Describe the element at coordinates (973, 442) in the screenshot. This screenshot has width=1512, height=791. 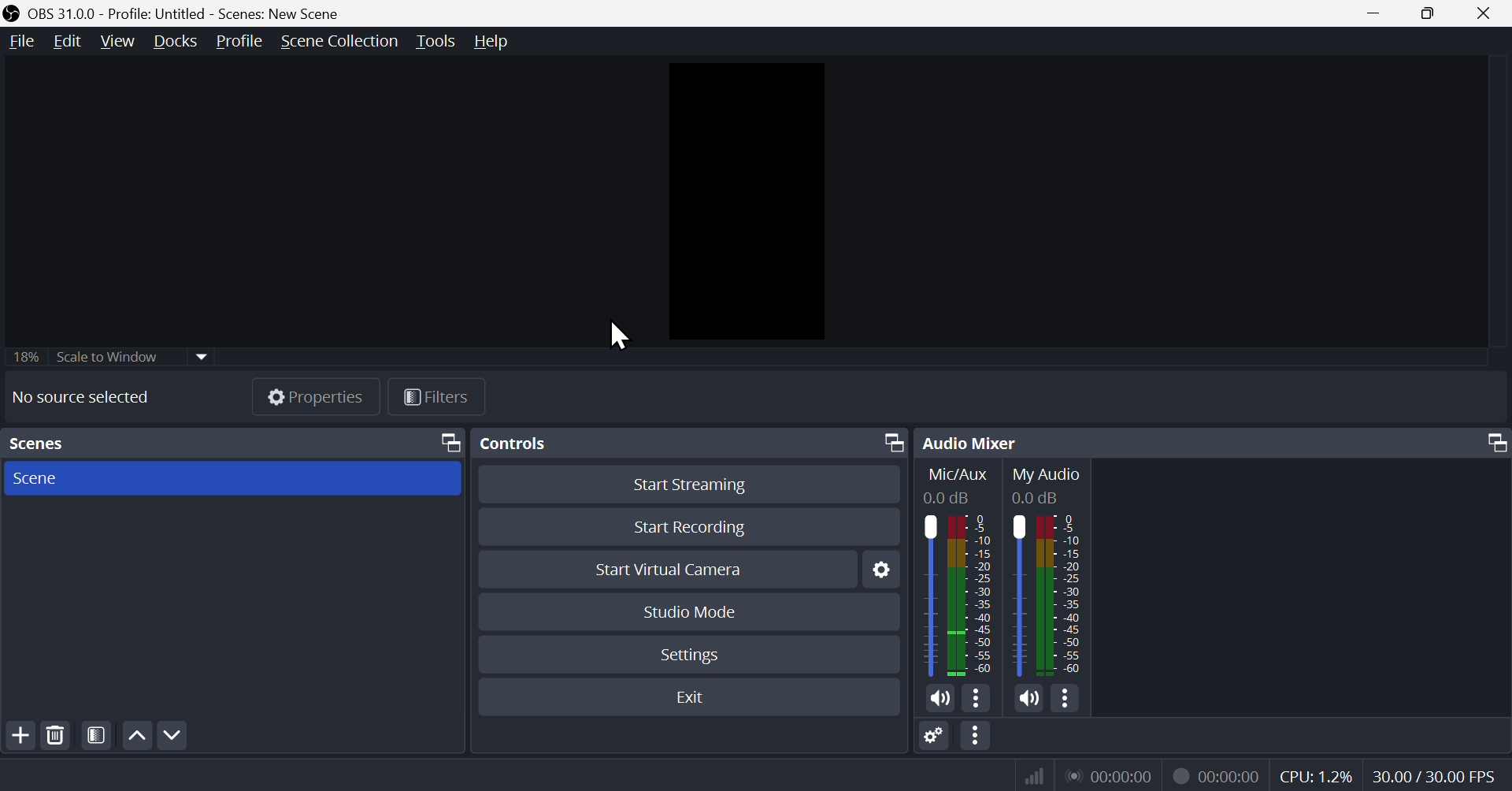
I see `Audio Mixer` at that location.